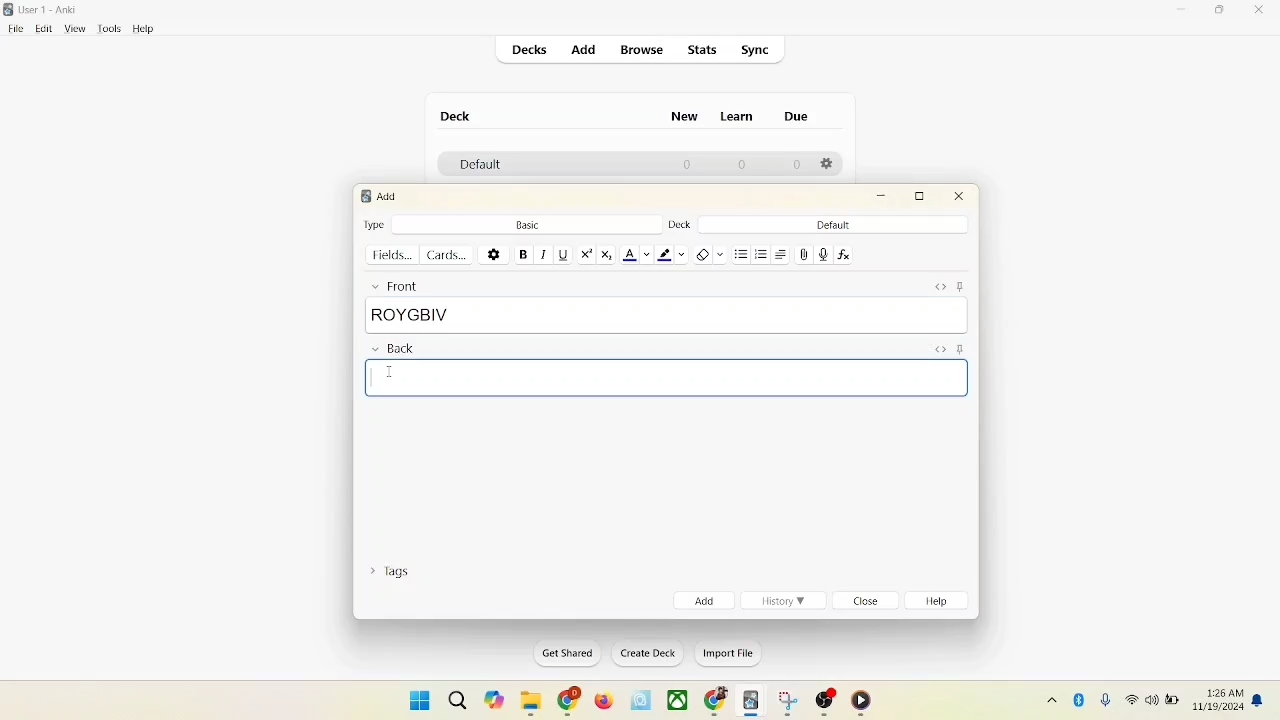  What do you see at coordinates (1259, 700) in the screenshot?
I see `notification` at bounding box center [1259, 700].